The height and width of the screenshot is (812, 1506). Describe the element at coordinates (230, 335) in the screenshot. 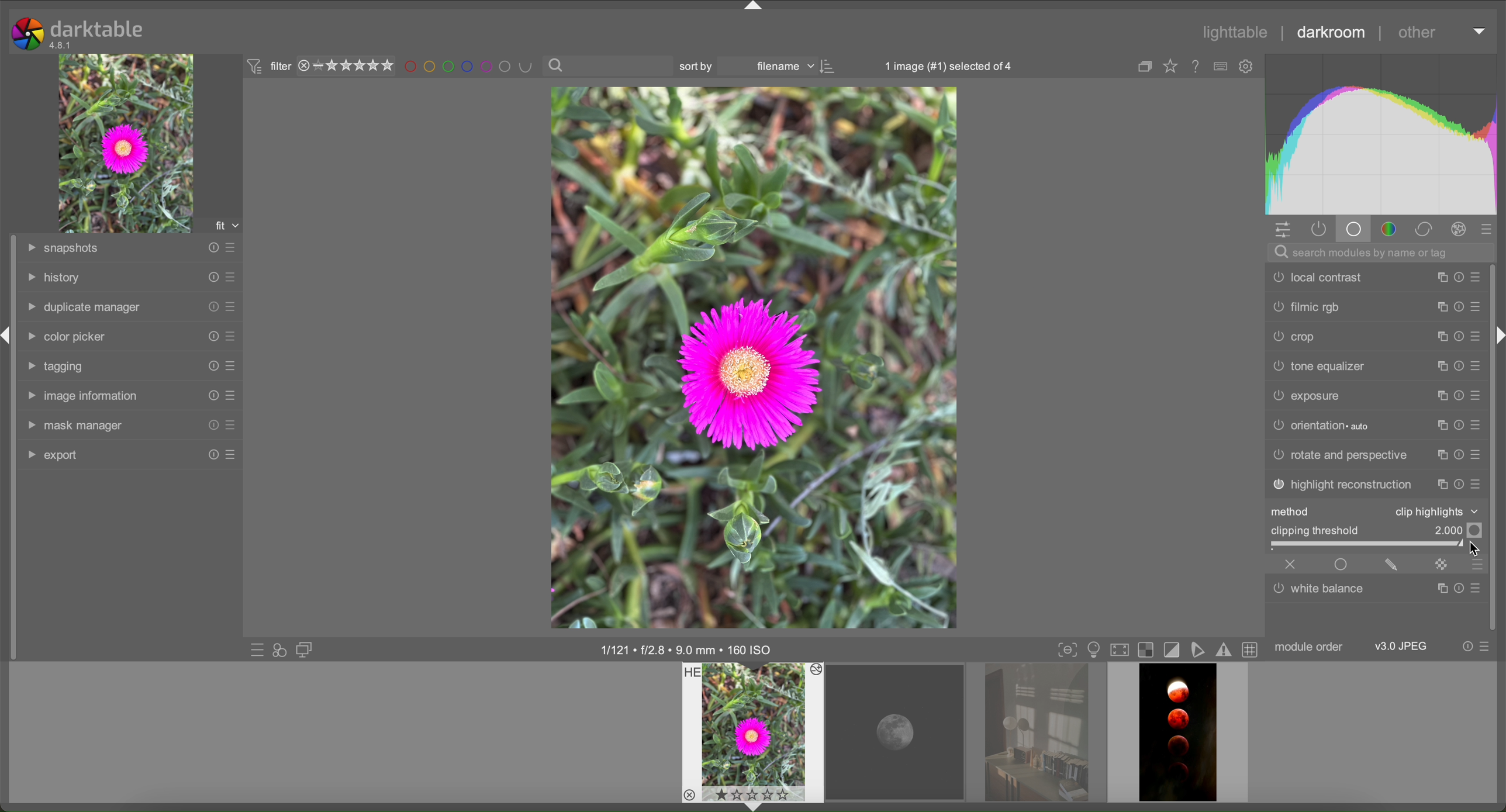

I see `presets` at that location.